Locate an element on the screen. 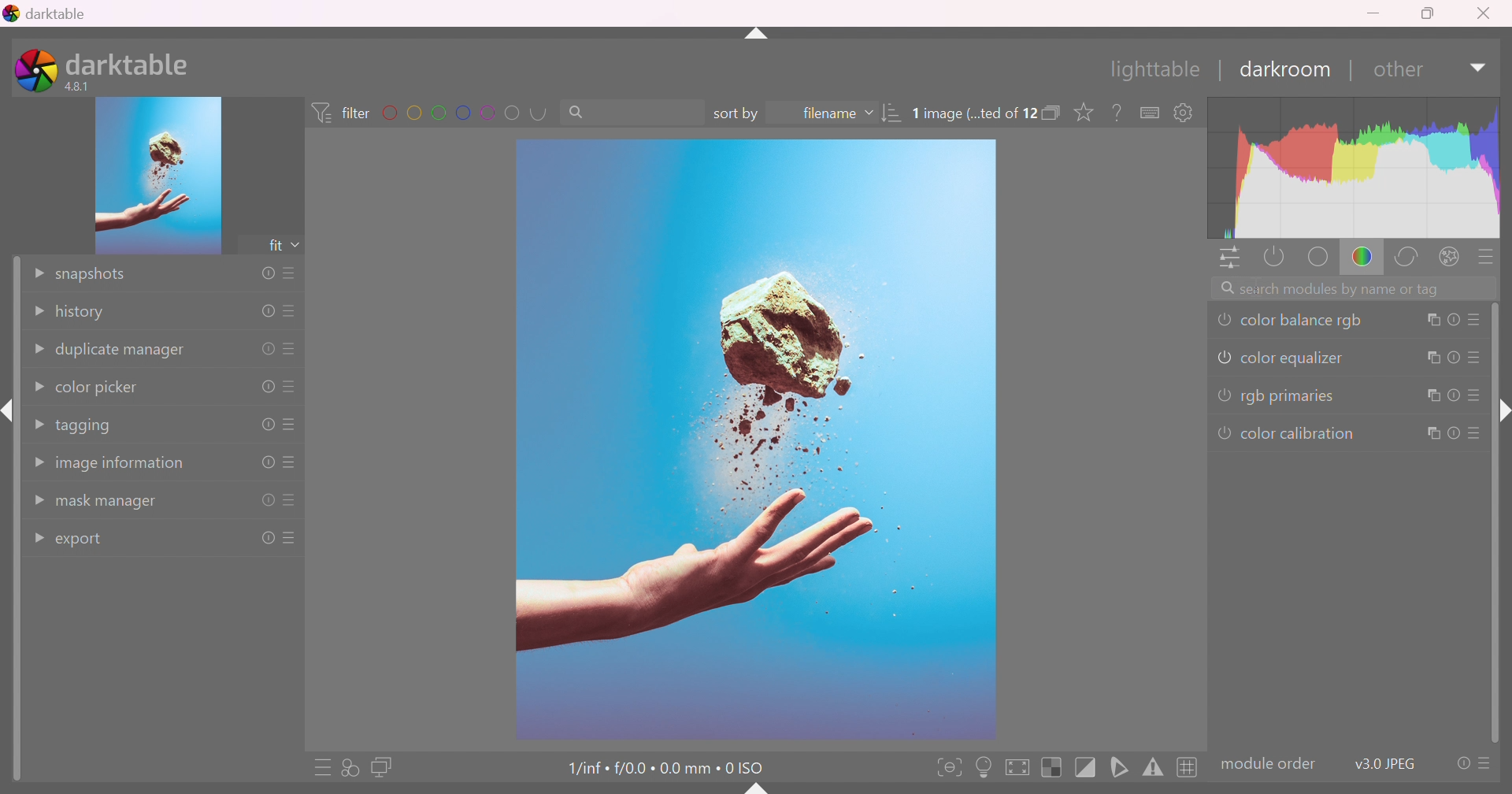 This screenshot has height=794, width=1512. define shortcuts is located at coordinates (1150, 114).